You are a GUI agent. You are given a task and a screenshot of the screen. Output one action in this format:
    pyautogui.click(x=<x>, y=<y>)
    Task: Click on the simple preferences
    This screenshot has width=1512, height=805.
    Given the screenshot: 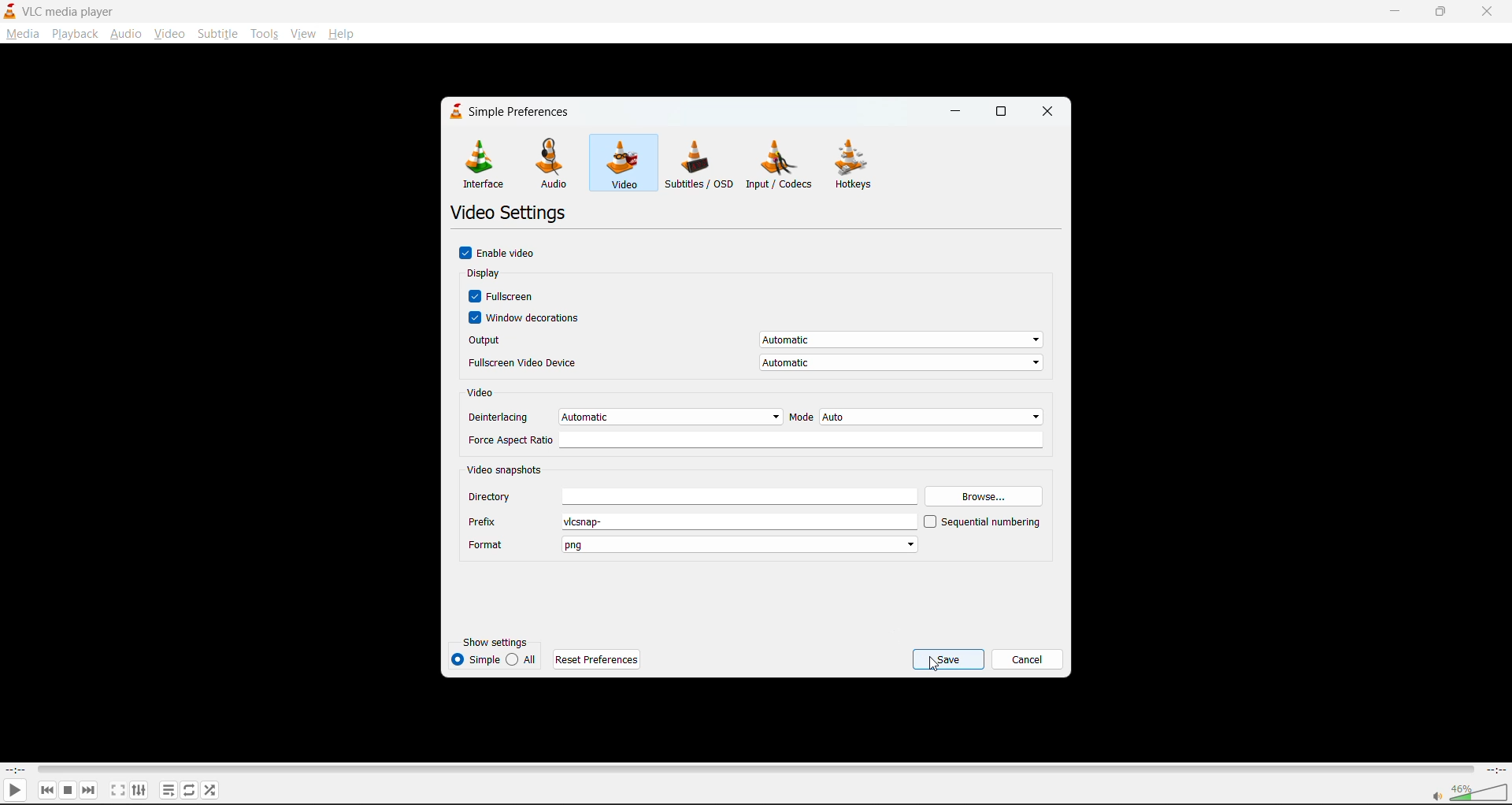 What is the action you would take?
    pyautogui.click(x=513, y=112)
    